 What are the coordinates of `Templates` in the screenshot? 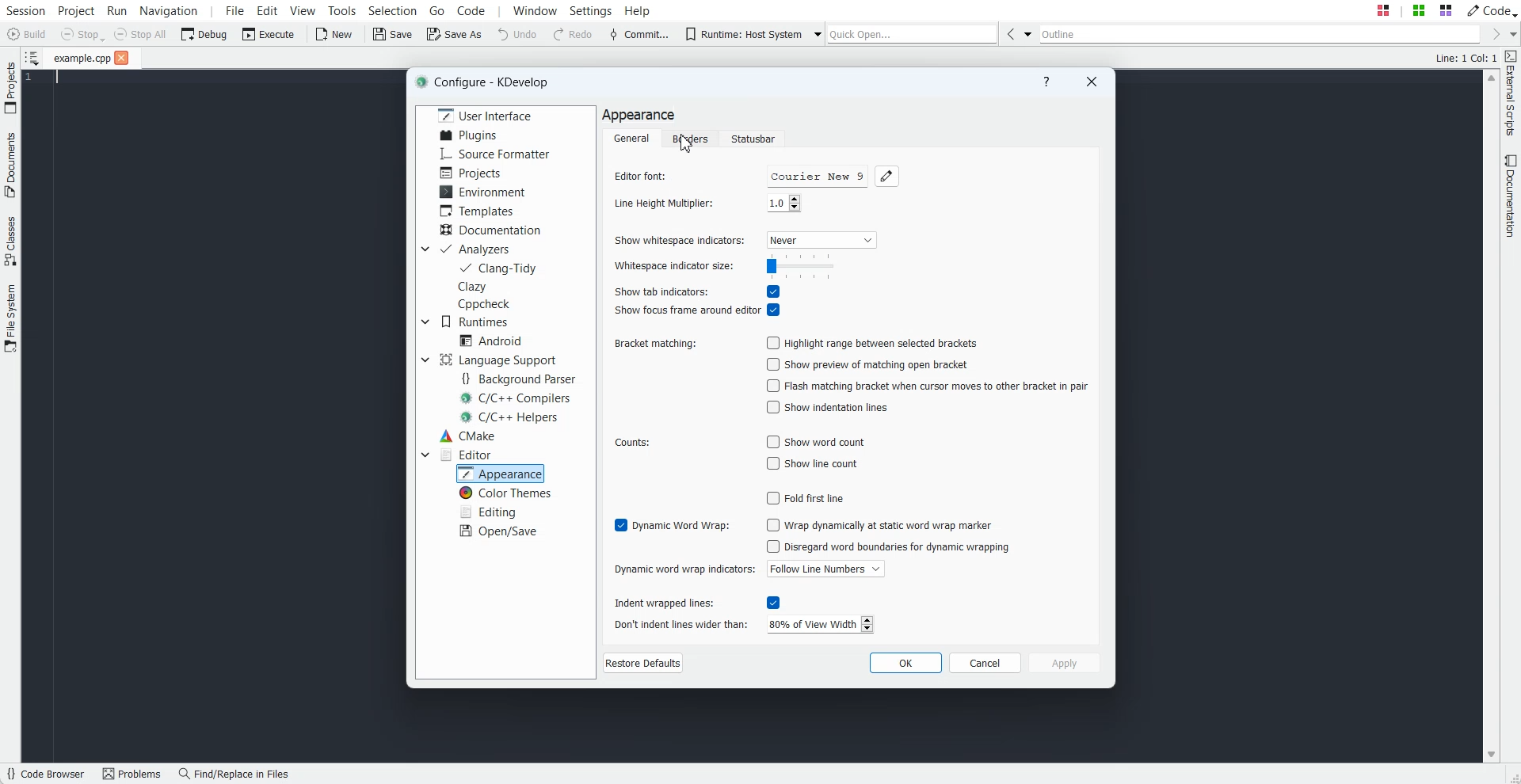 It's located at (478, 210).